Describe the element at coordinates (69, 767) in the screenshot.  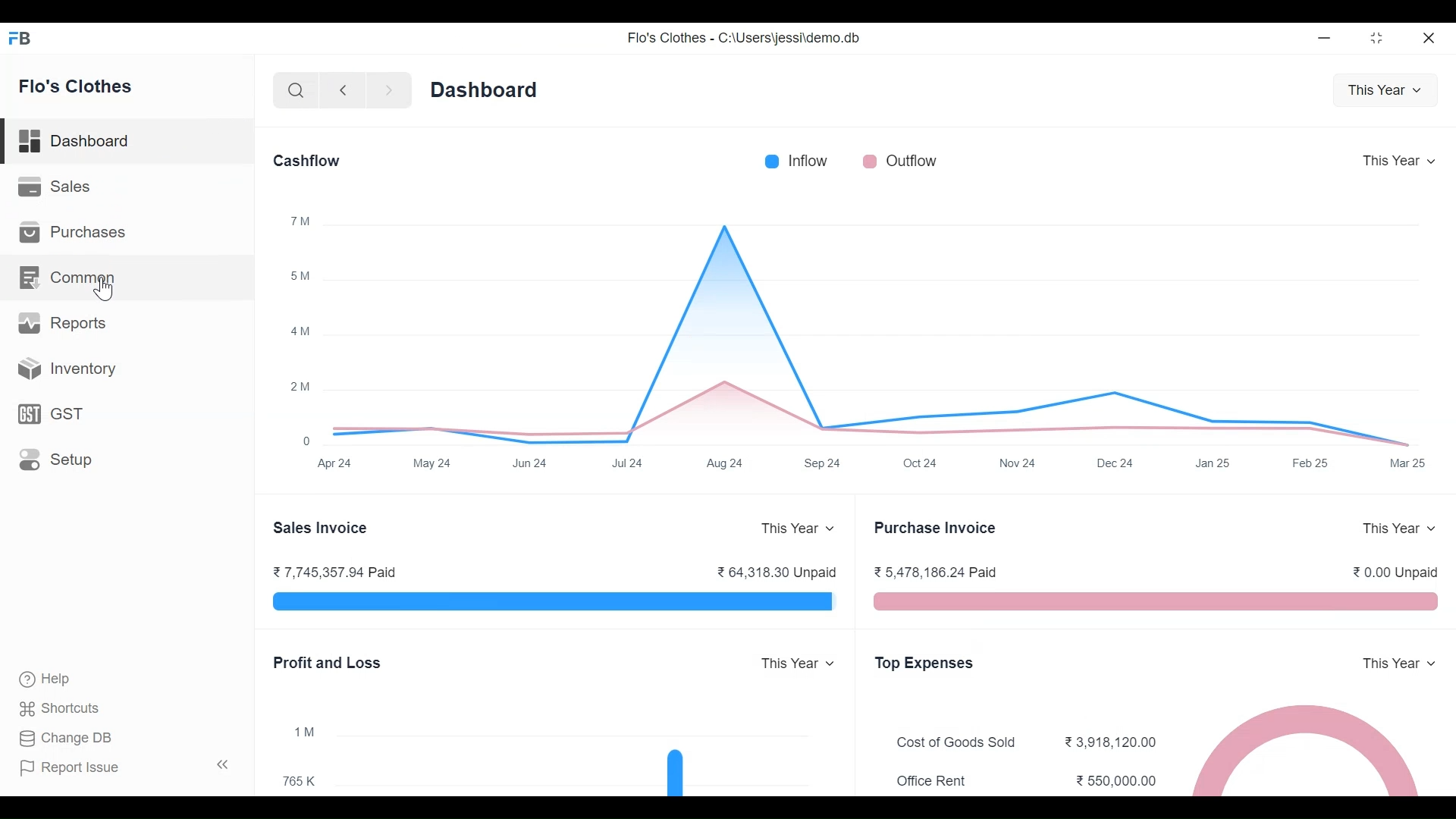
I see `Report Issue` at that location.